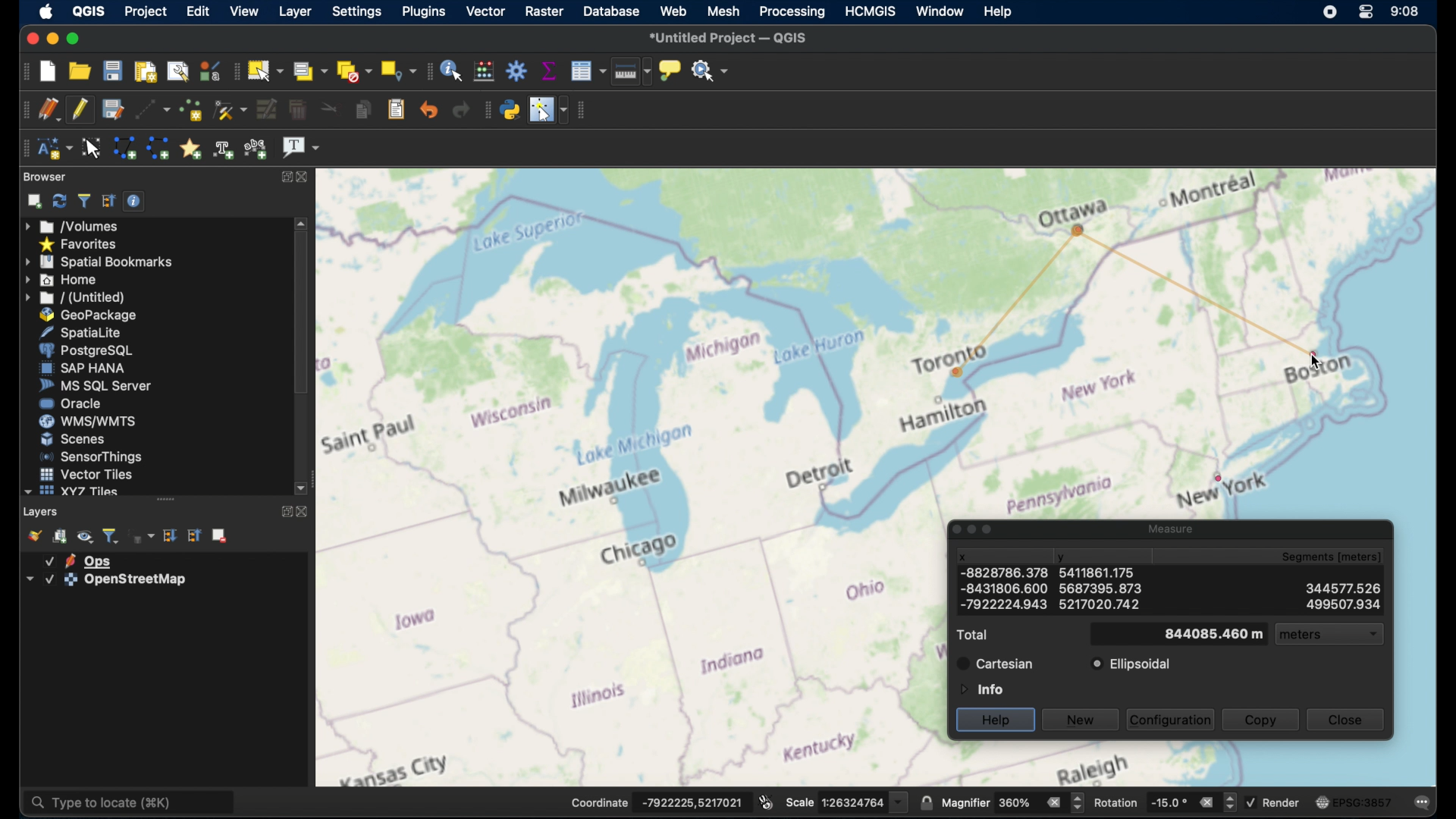 This screenshot has height=819, width=1456. Describe the element at coordinates (89, 11) in the screenshot. I see `qgis` at that location.